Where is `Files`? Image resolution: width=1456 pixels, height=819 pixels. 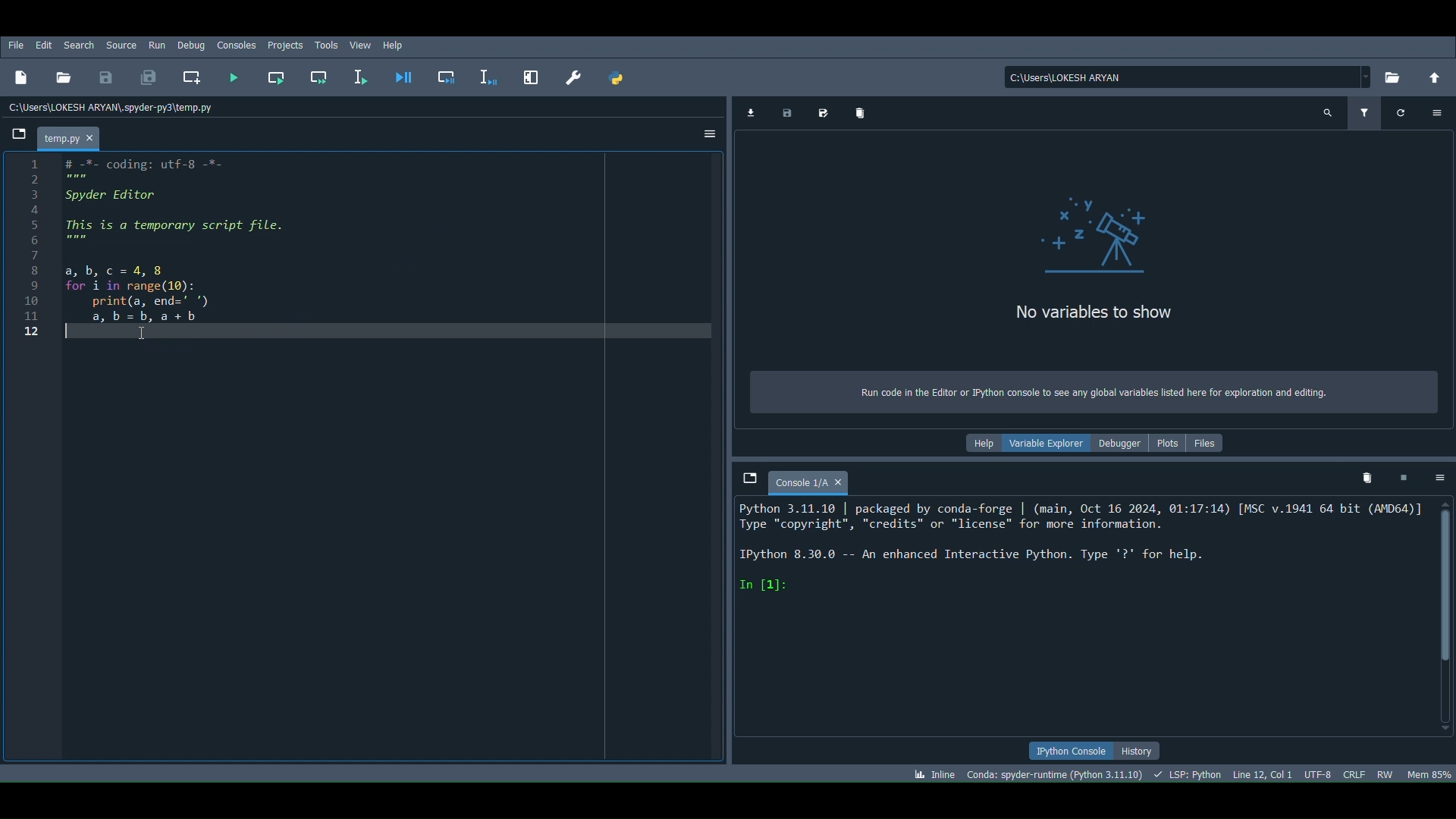 Files is located at coordinates (1210, 444).